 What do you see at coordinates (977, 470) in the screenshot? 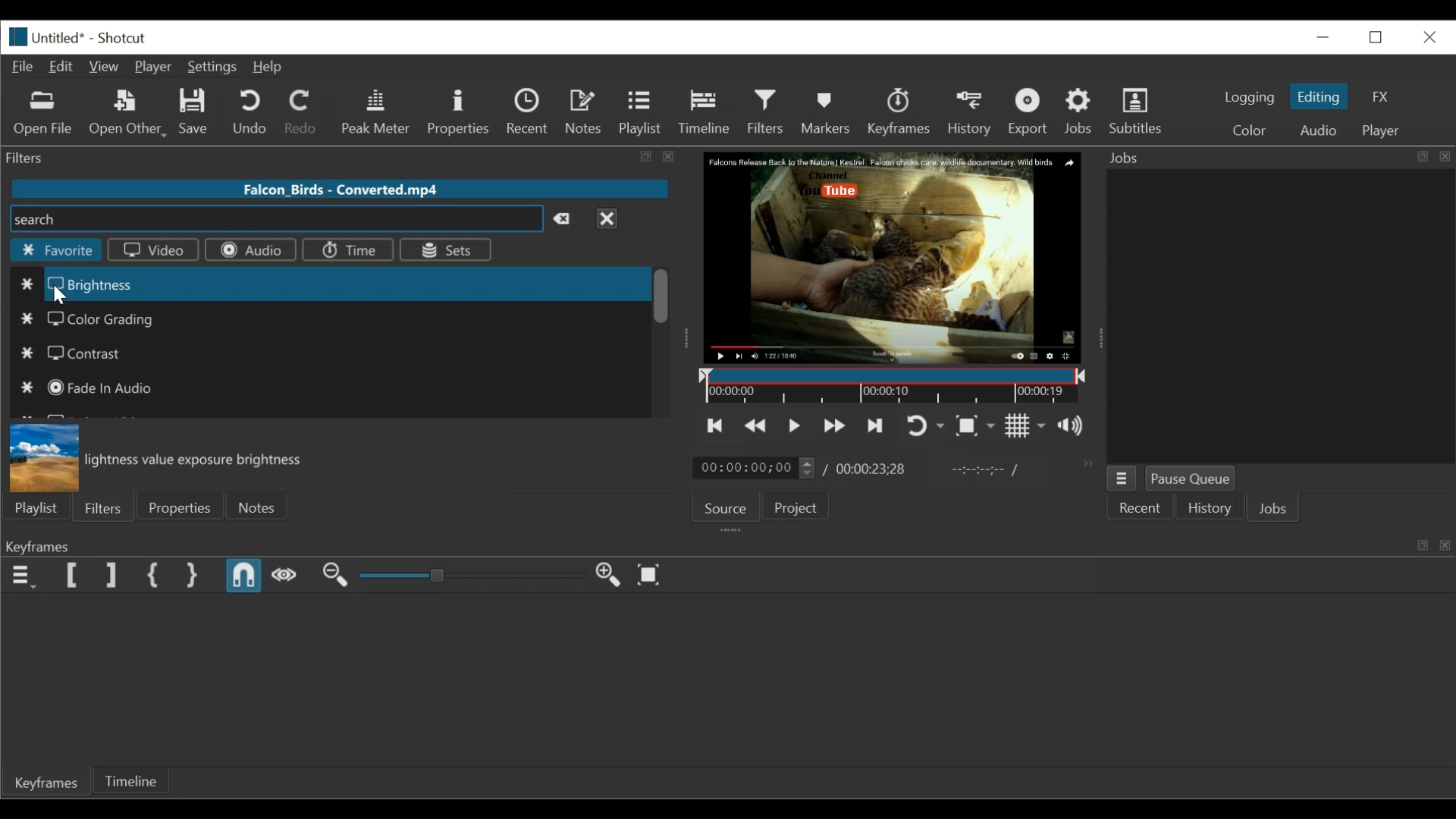
I see `In point` at bounding box center [977, 470].